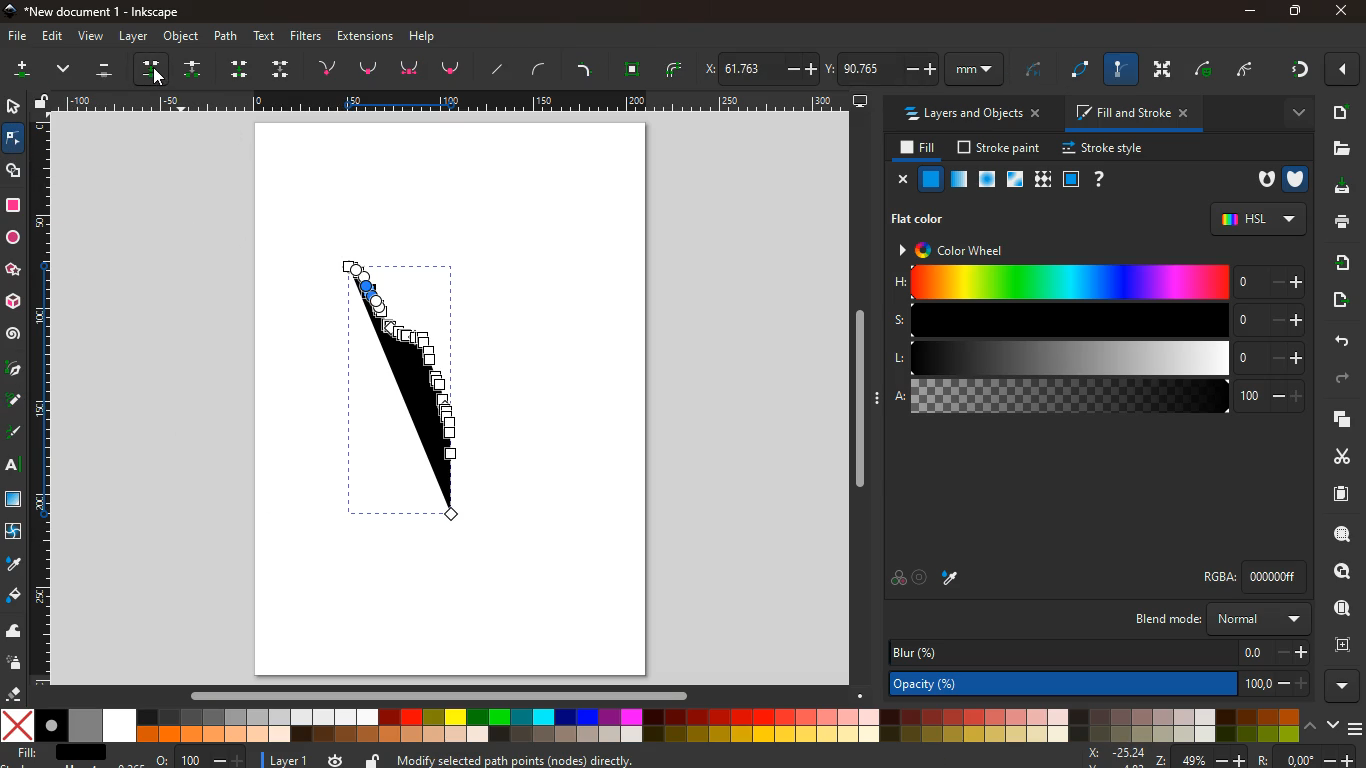 The image size is (1366, 768). What do you see at coordinates (63, 755) in the screenshot?
I see `fill` at bounding box center [63, 755].